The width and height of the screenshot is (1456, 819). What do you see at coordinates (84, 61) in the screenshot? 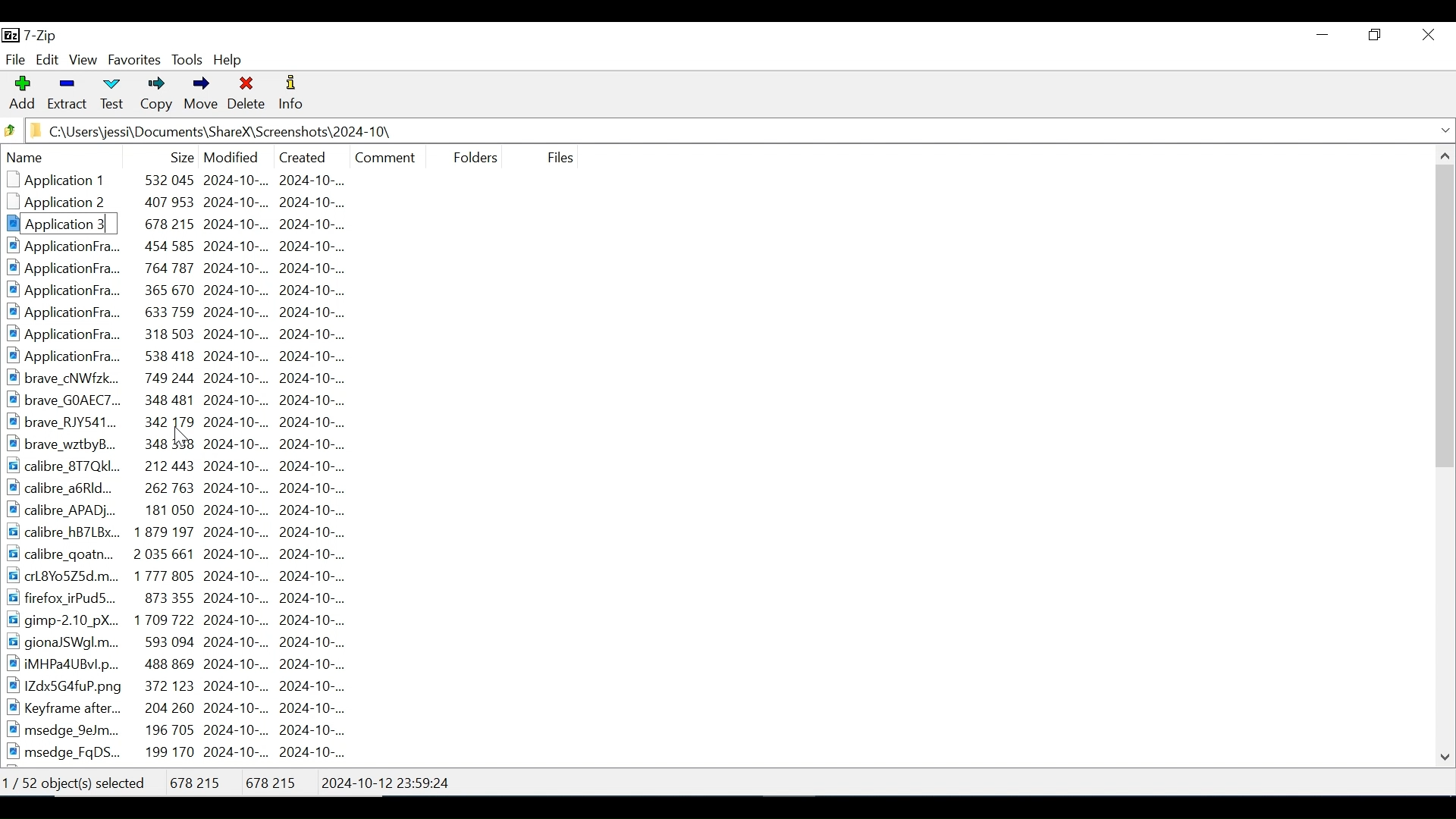
I see `View` at bounding box center [84, 61].